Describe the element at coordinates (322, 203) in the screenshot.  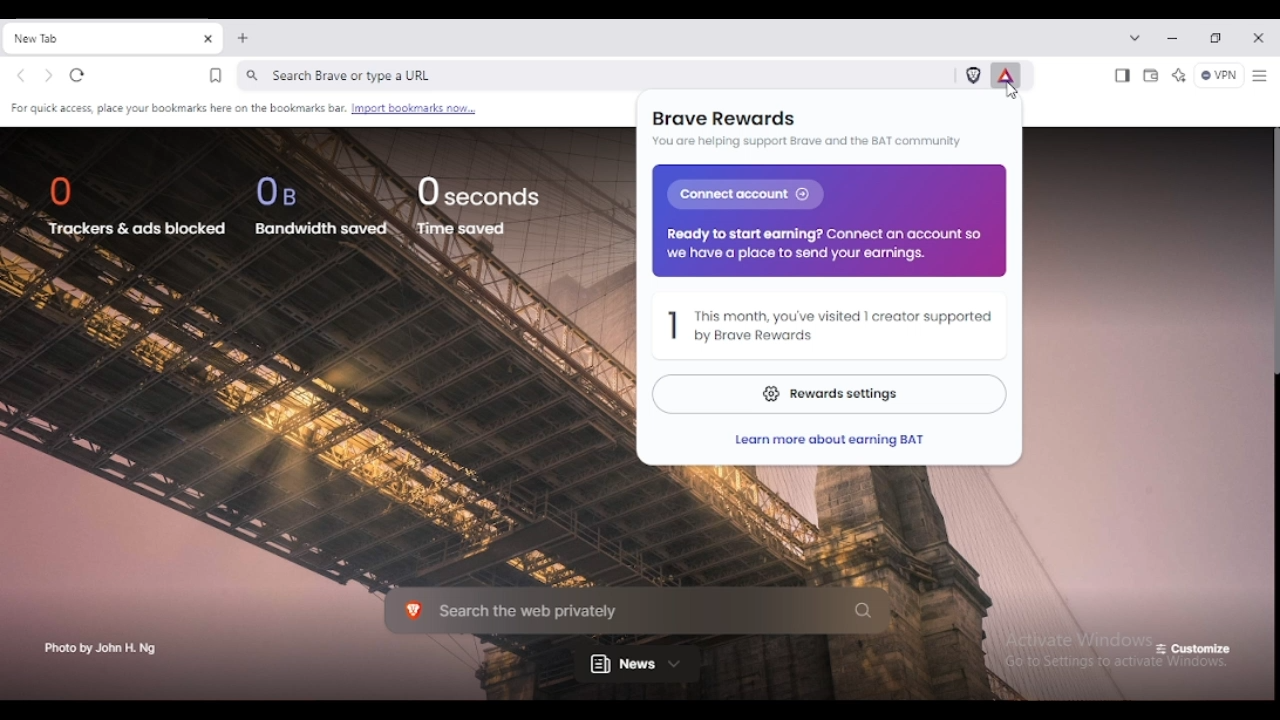
I see `0 B bandwidth saved` at that location.